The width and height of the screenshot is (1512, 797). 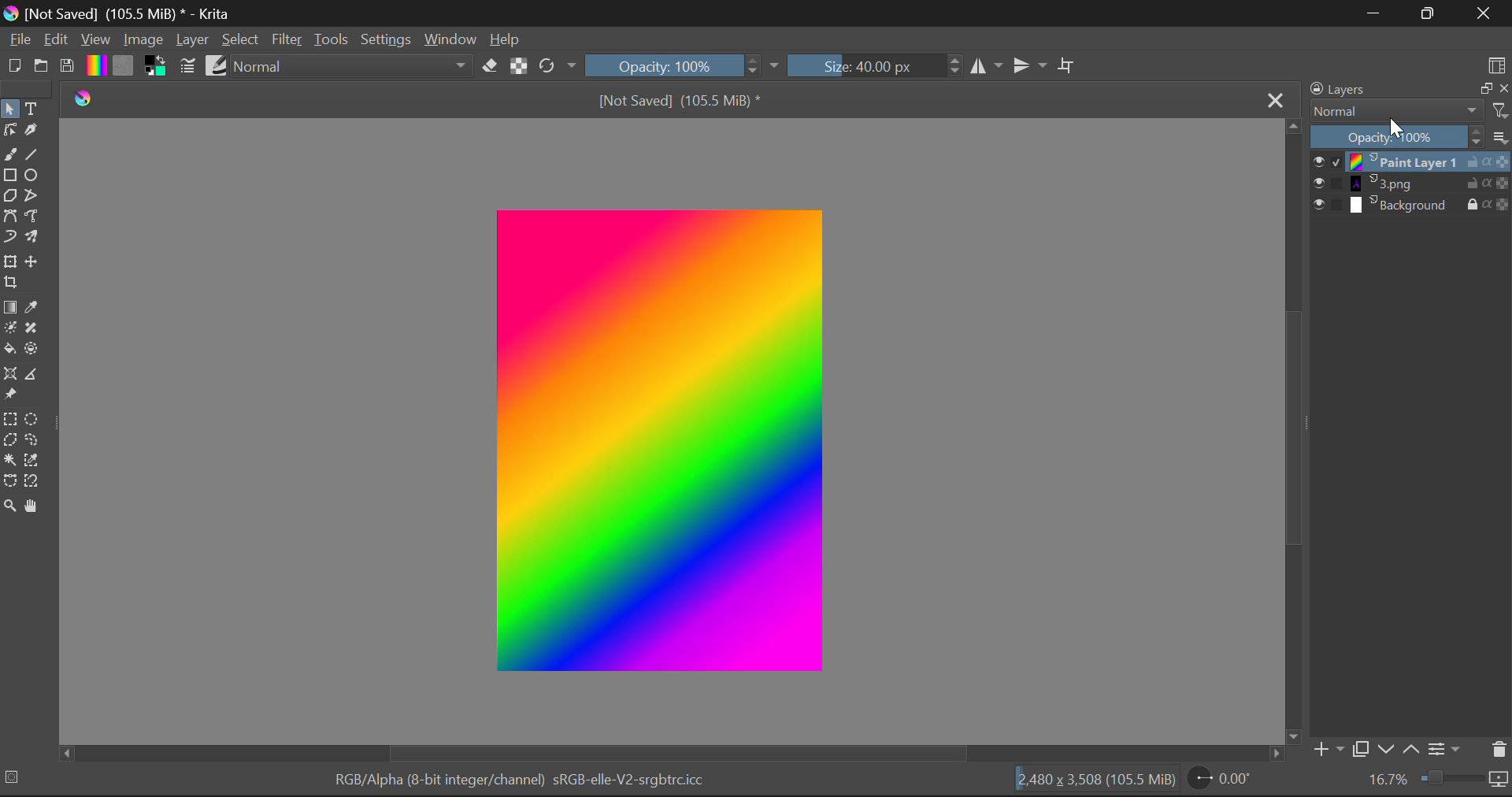 I want to click on Bezier Curve Selection, so click(x=10, y=484).